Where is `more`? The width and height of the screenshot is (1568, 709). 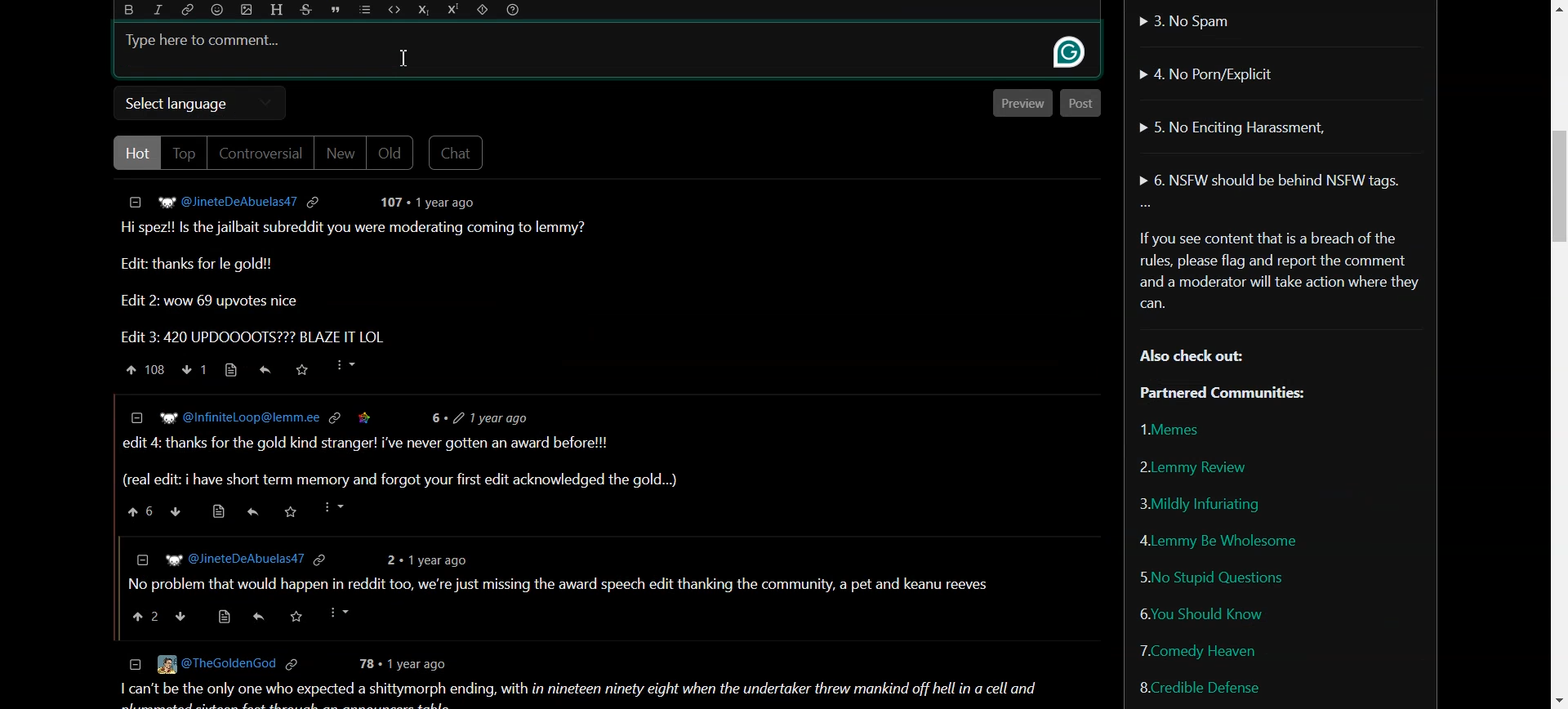
more is located at coordinates (335, 507).